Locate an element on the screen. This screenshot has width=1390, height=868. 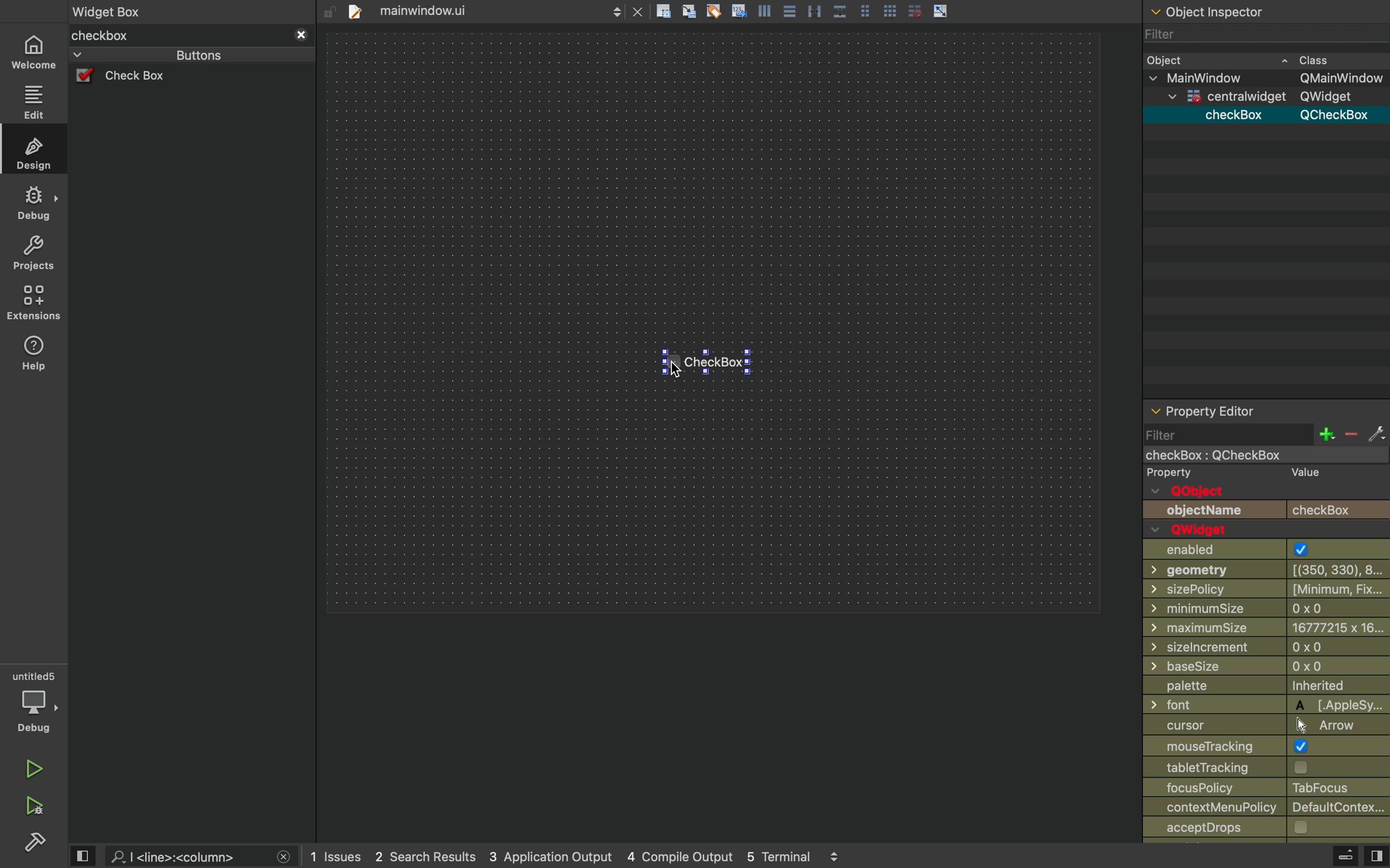
insert text is located at coordinates (738, 10).